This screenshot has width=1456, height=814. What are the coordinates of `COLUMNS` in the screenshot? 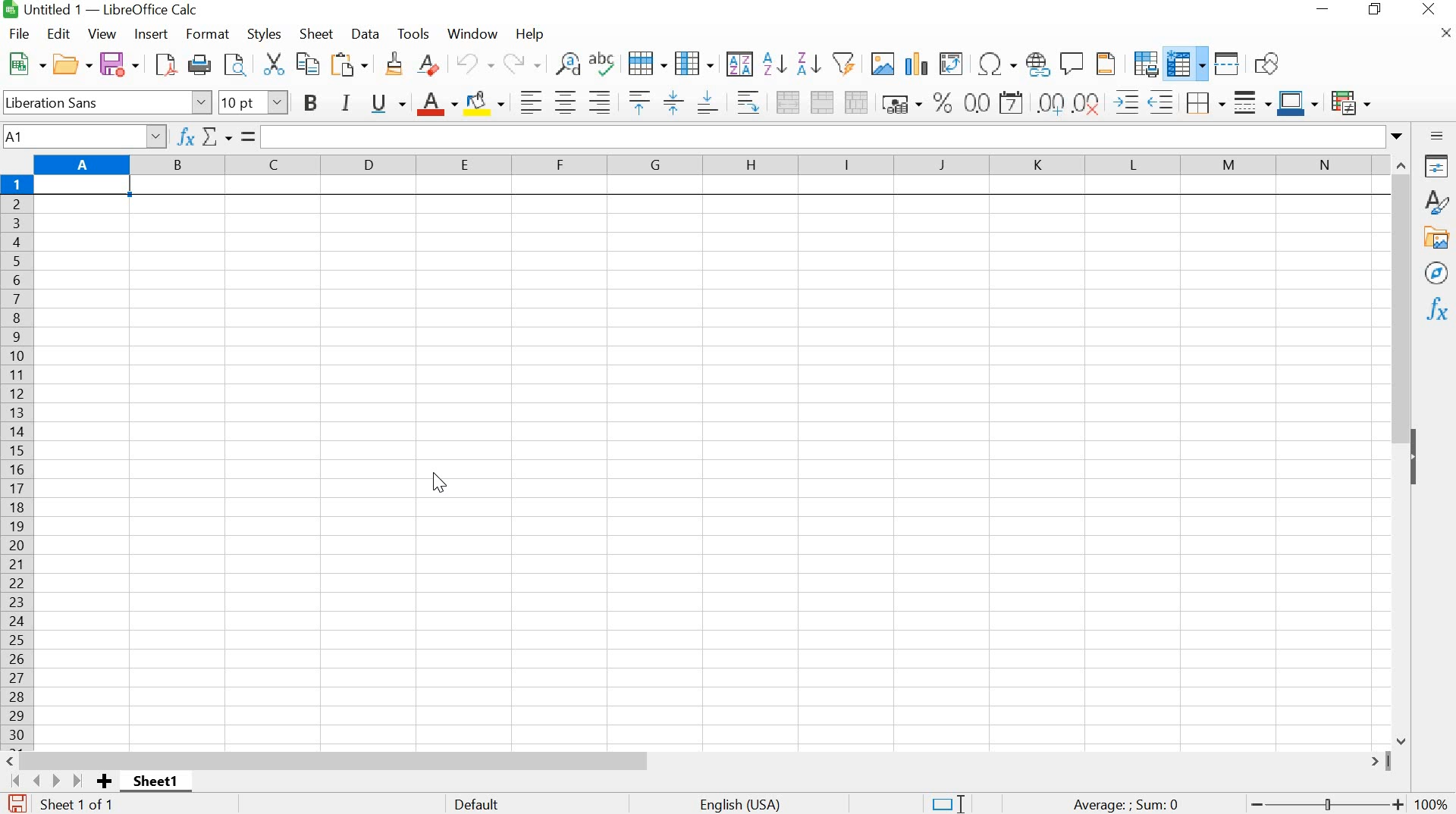 It's located at (716, 164).